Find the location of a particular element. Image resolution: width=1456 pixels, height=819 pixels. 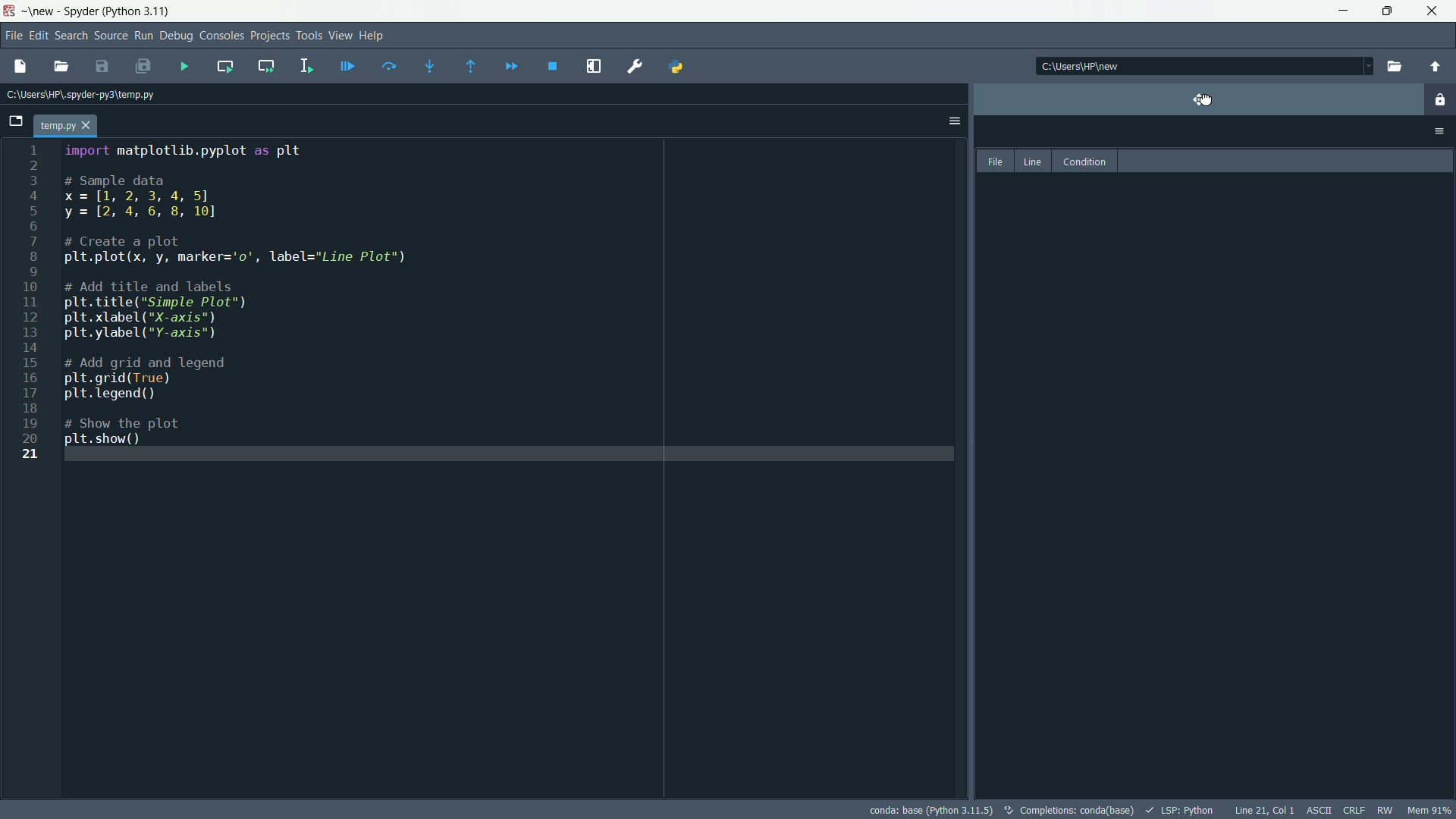

tools menu is located at coordinates (307, 35).